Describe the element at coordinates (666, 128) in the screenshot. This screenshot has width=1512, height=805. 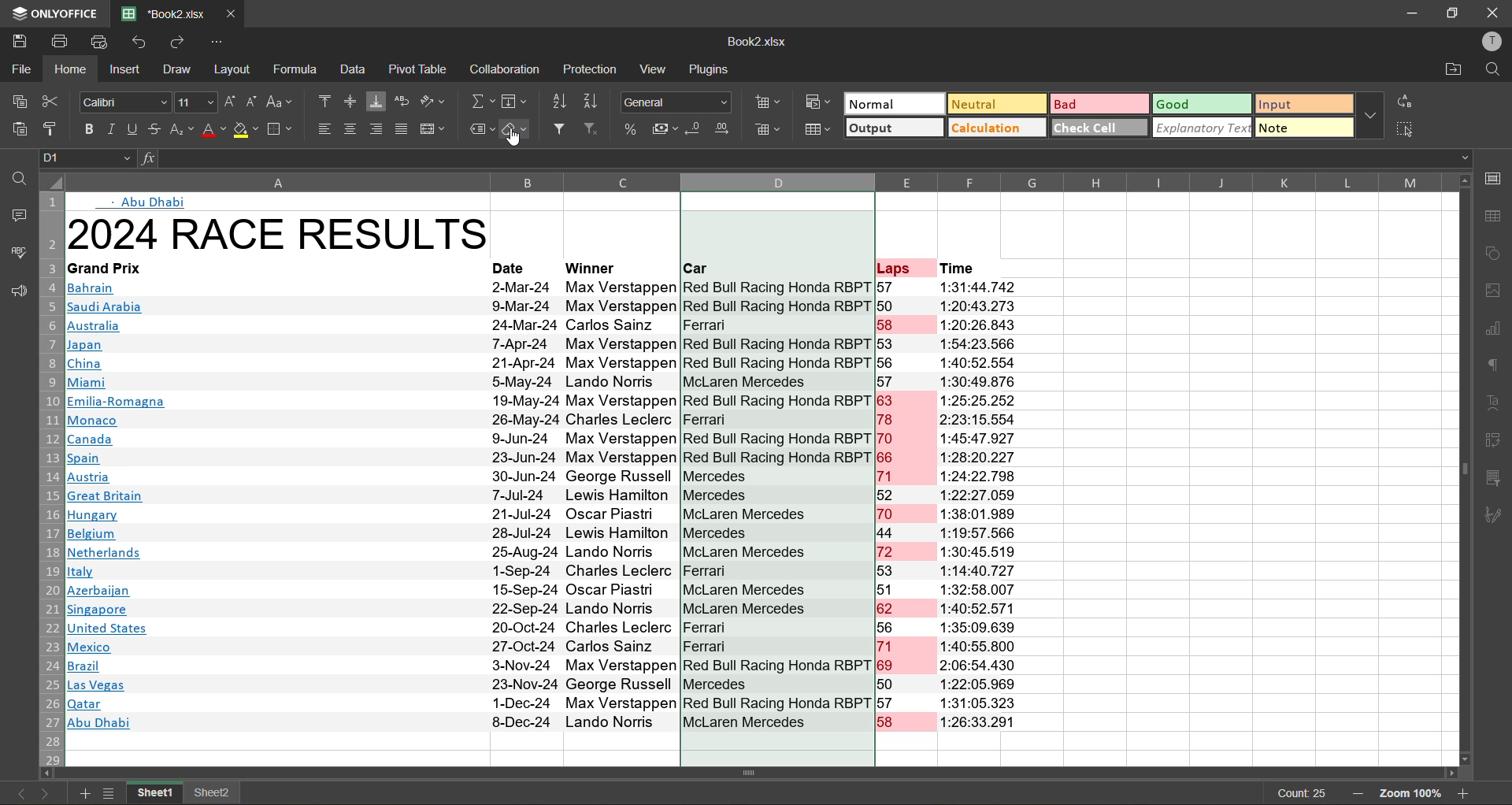
I see `accounting` at that location.